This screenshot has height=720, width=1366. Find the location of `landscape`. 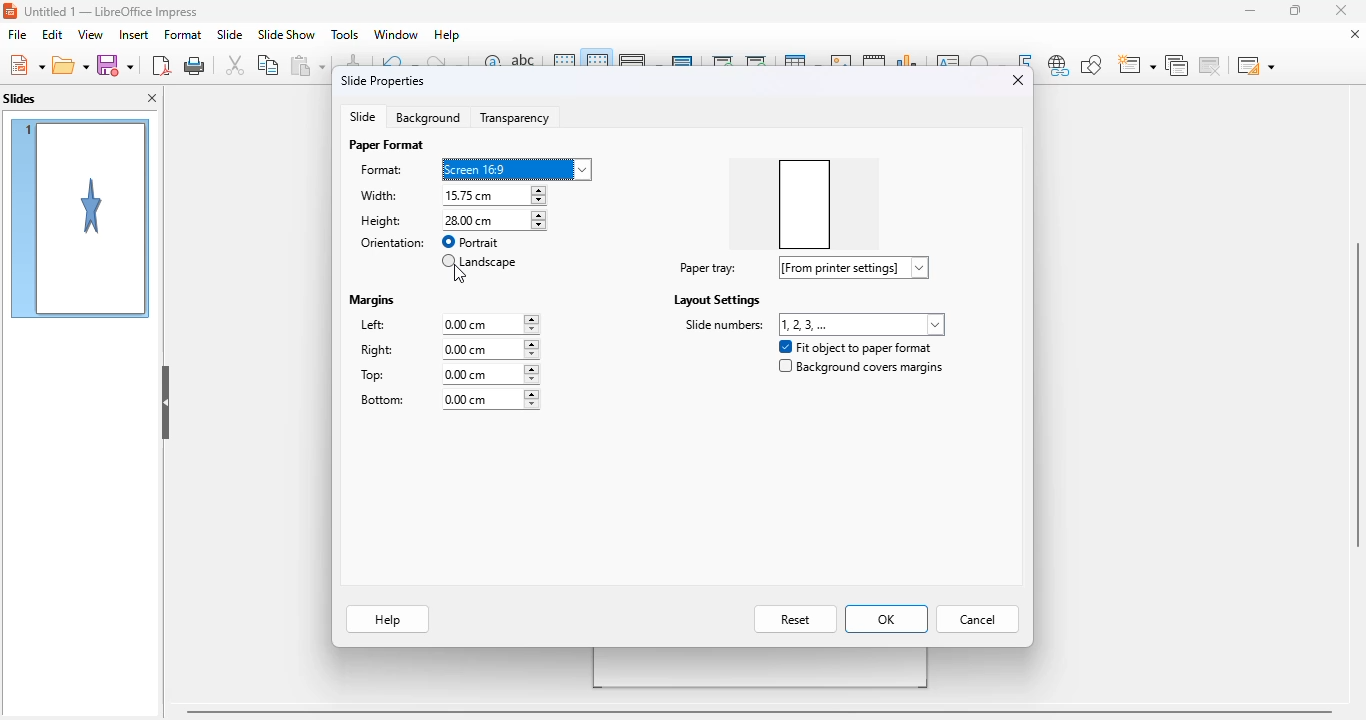

landscape is located at coordinates (480, 262).